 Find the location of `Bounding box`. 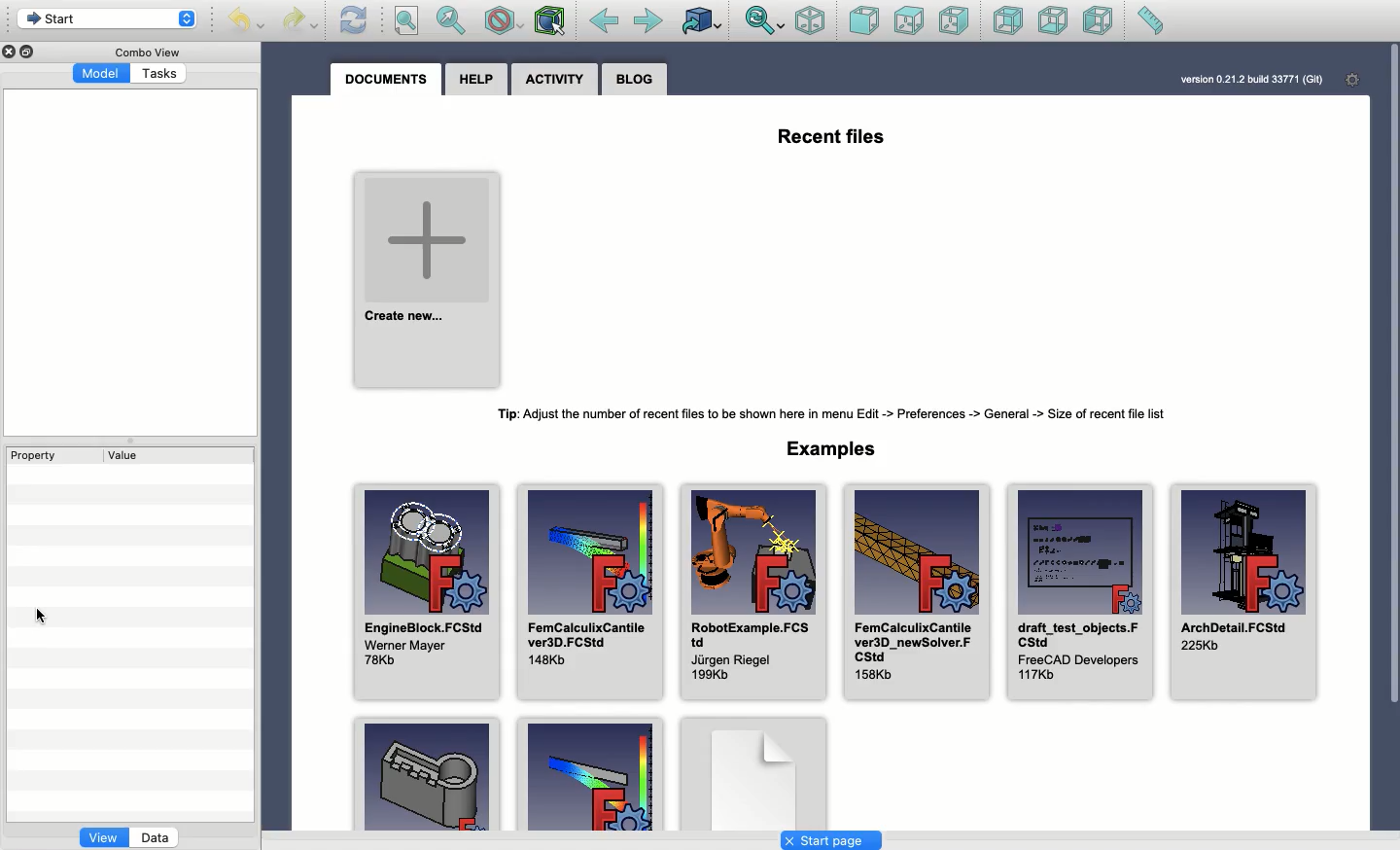

Bounding box is located at coordinates (551, 24).